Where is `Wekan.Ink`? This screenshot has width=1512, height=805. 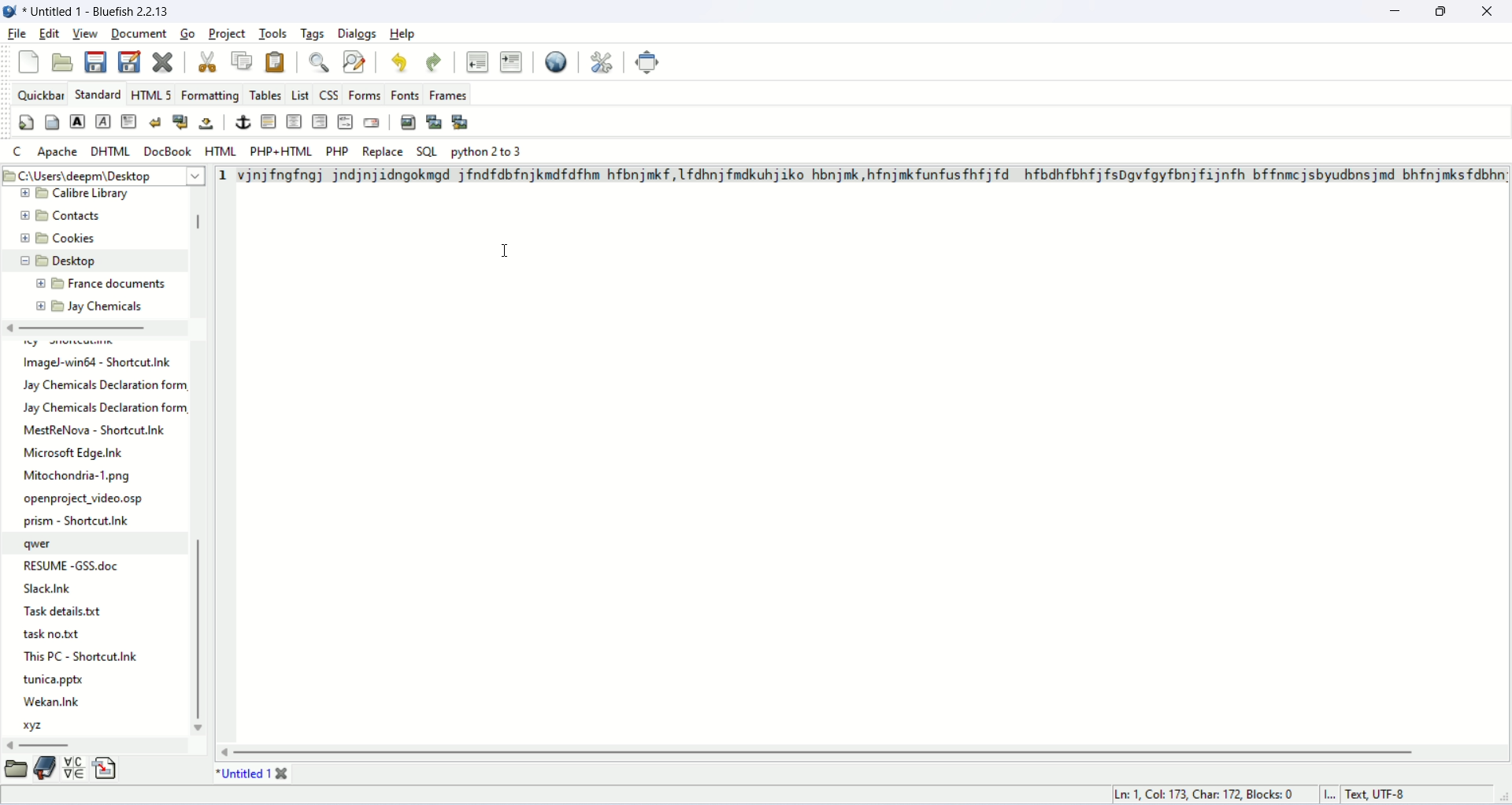
Wekan.Ink is located at coordinates (51, 702).